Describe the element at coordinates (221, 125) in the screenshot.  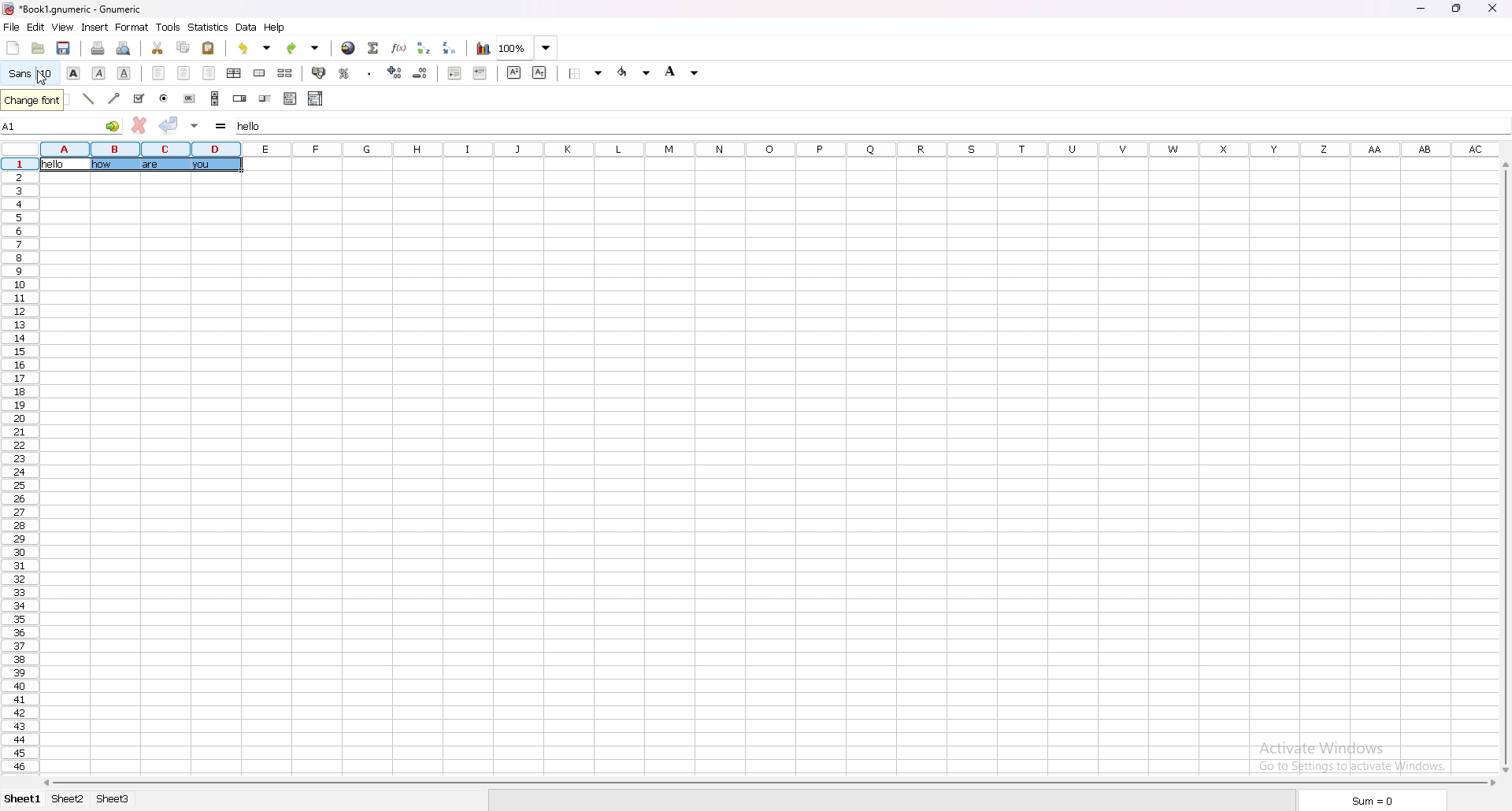
I see `formula` at that location.